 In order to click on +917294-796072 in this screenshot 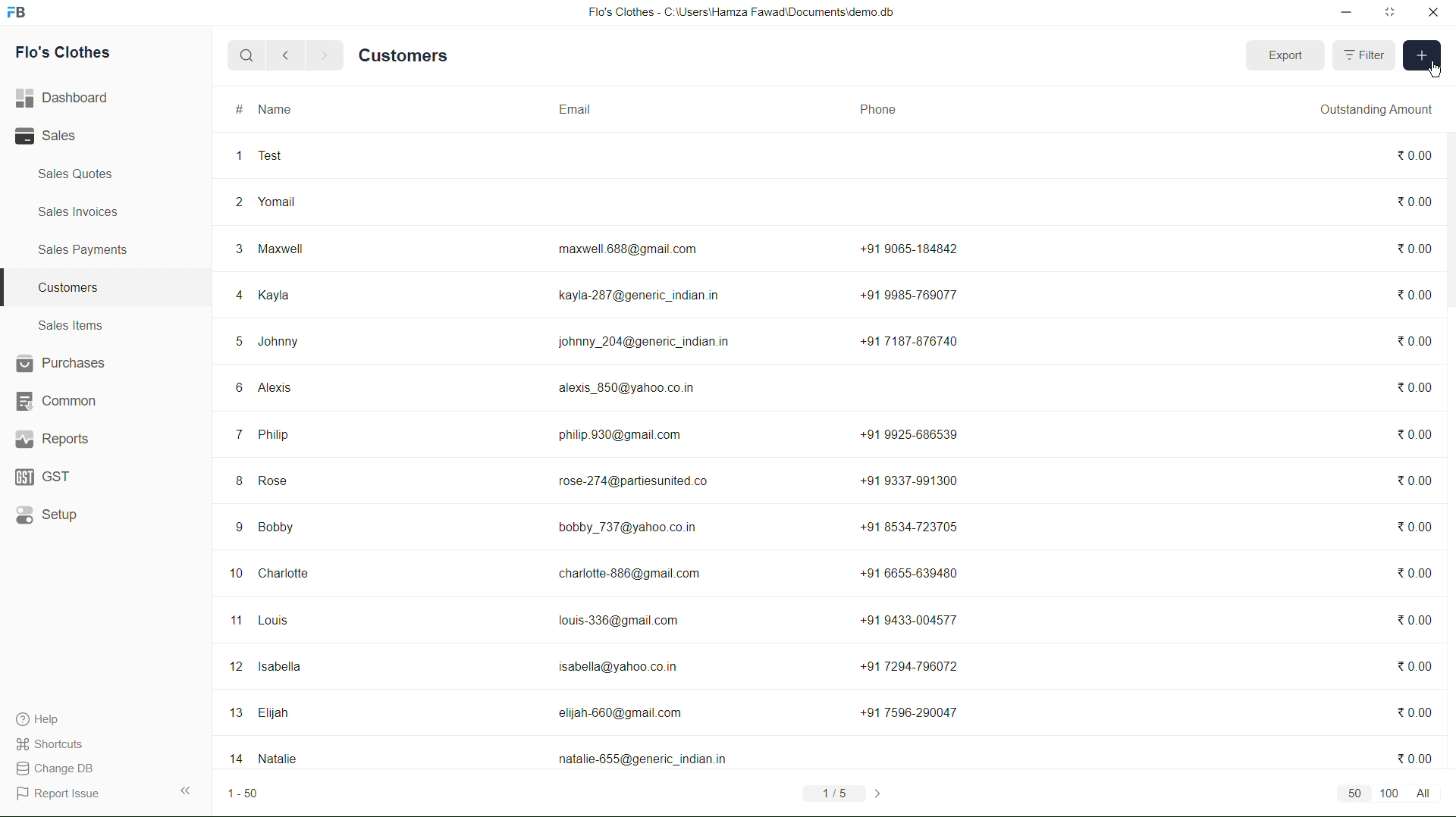, I will do `click(905, 666)`.